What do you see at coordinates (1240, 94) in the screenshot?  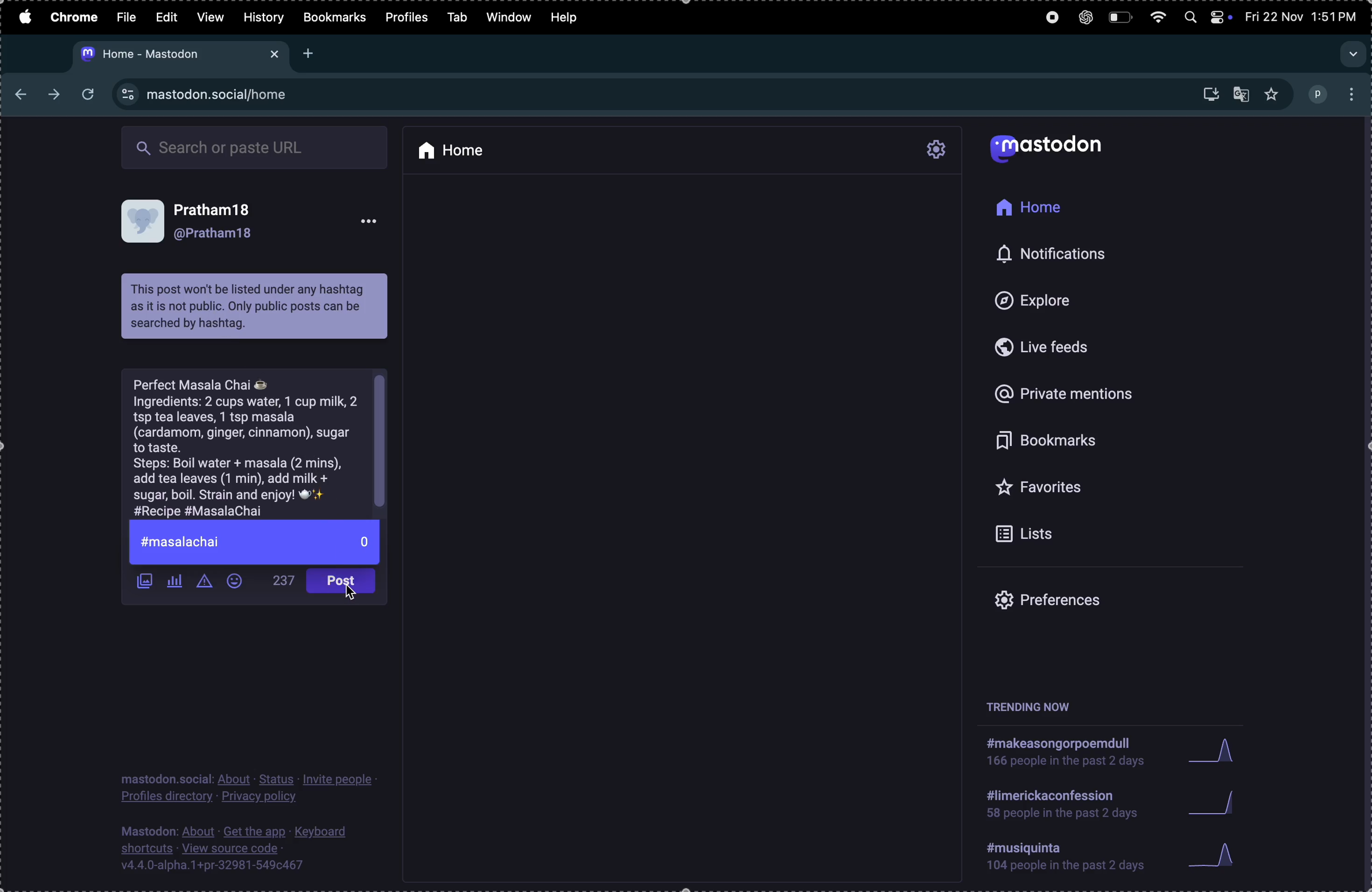 I see `translate` at bounding box center [1240, 94].